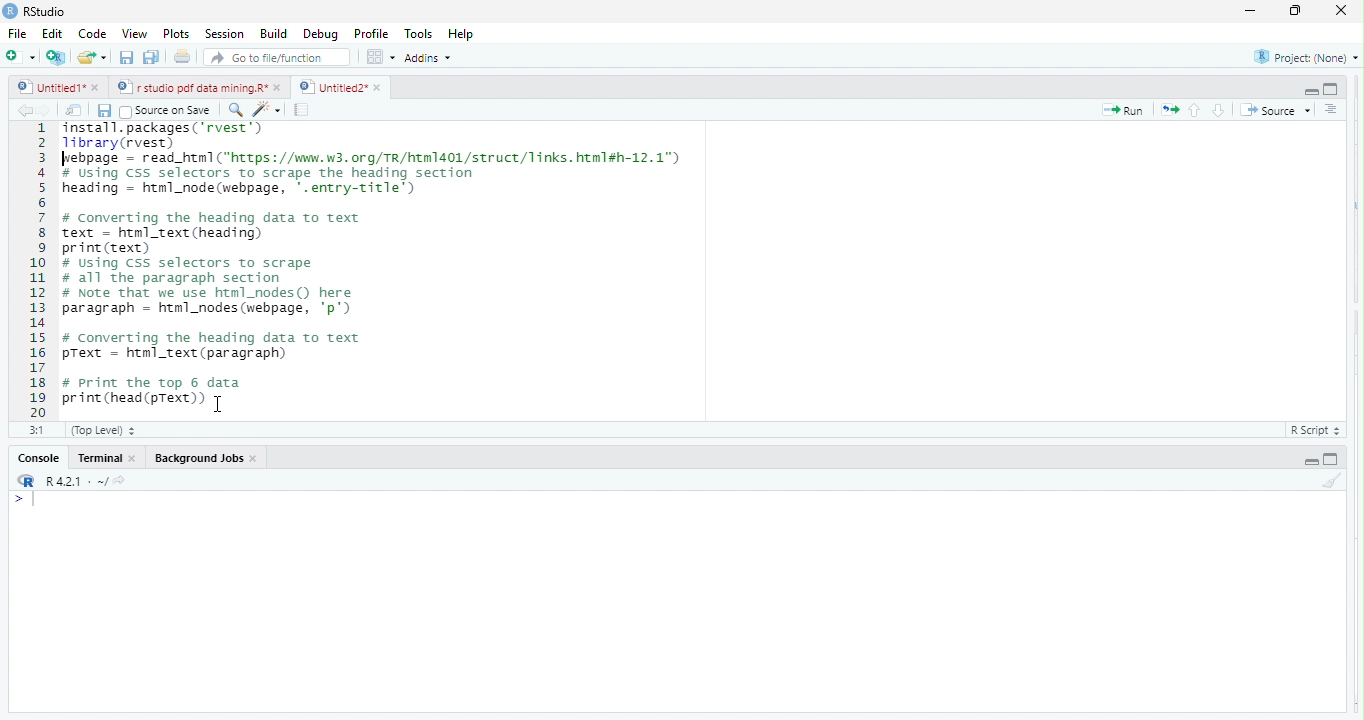  What do you see at coordinates (1248, 13) in the screenshot?
I see `maximize` at bounding box center [1248, 13].